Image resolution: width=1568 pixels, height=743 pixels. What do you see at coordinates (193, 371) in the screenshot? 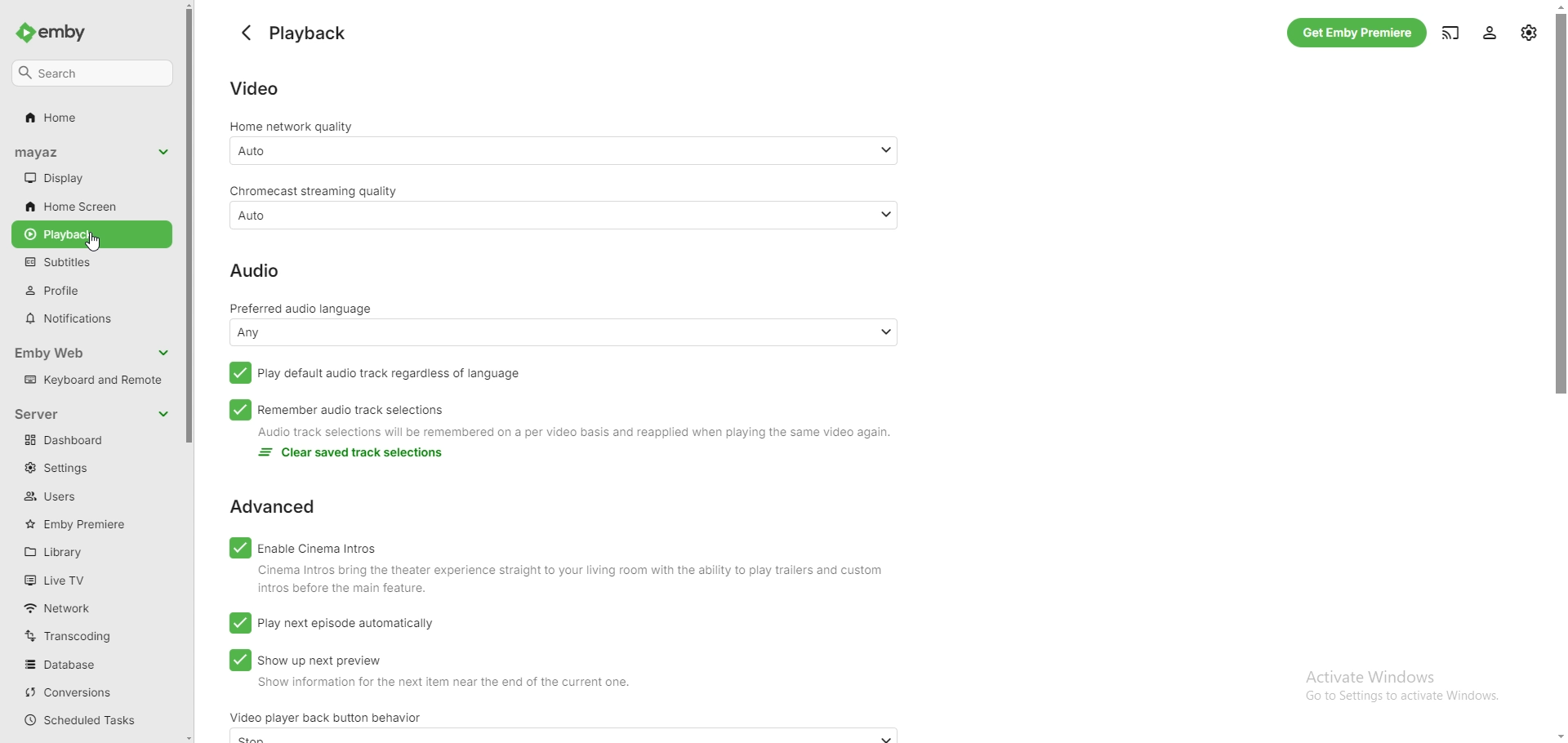
I see `scroll bar` at bounding box center [193, 371].